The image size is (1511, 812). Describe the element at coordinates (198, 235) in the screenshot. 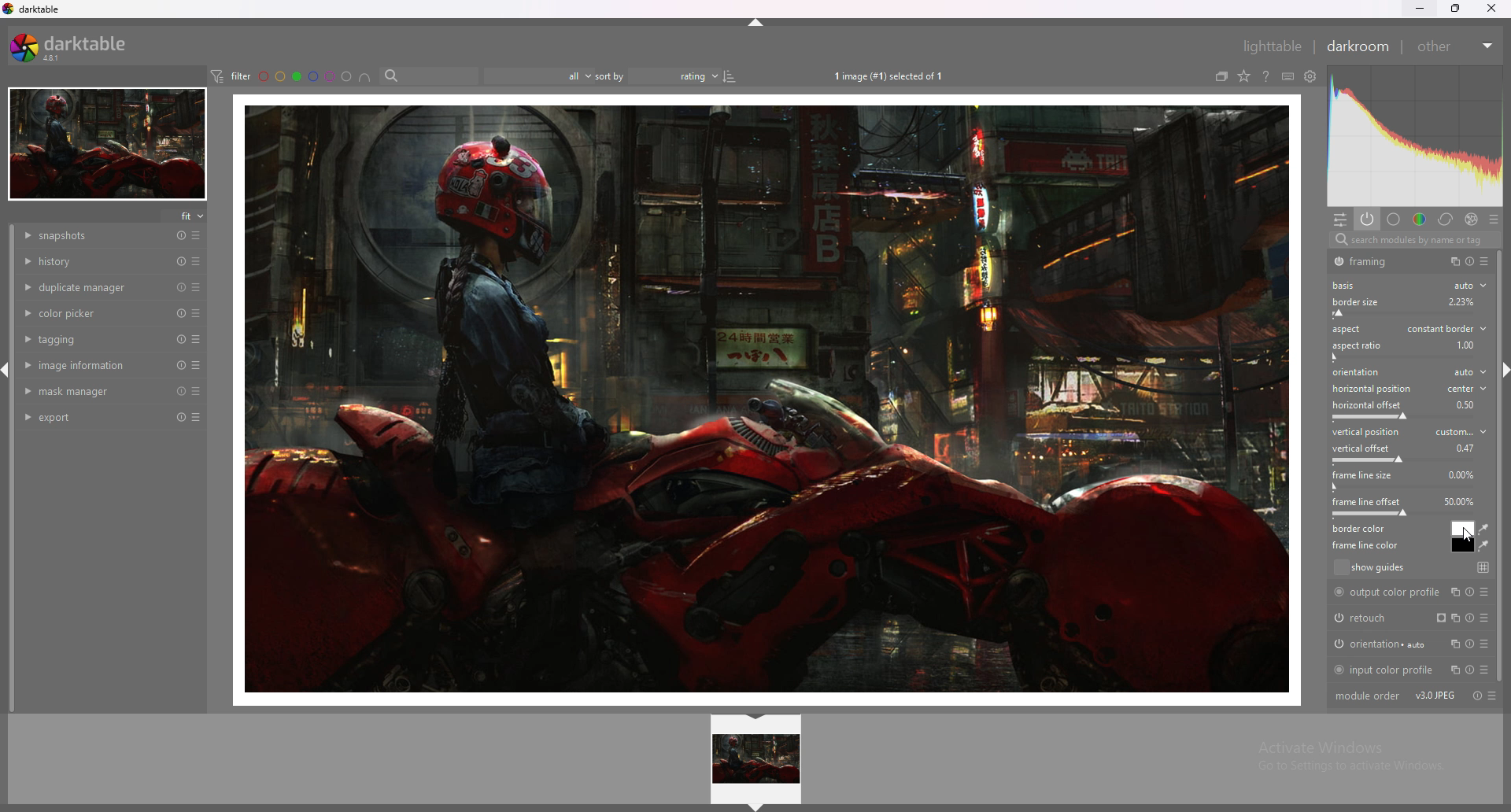

I see `presets` at that location.